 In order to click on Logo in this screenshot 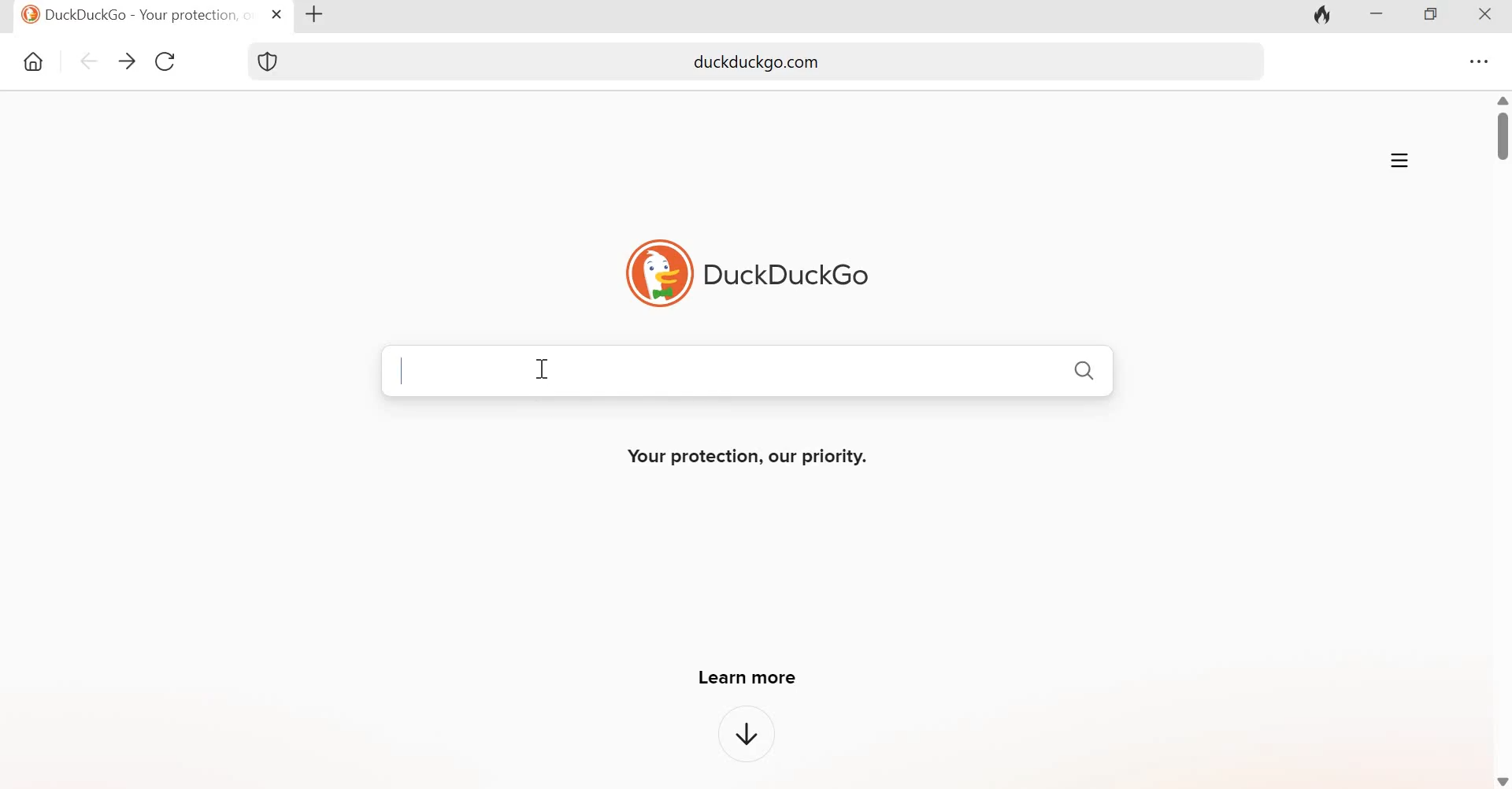, I will do `click(658, 274)`.